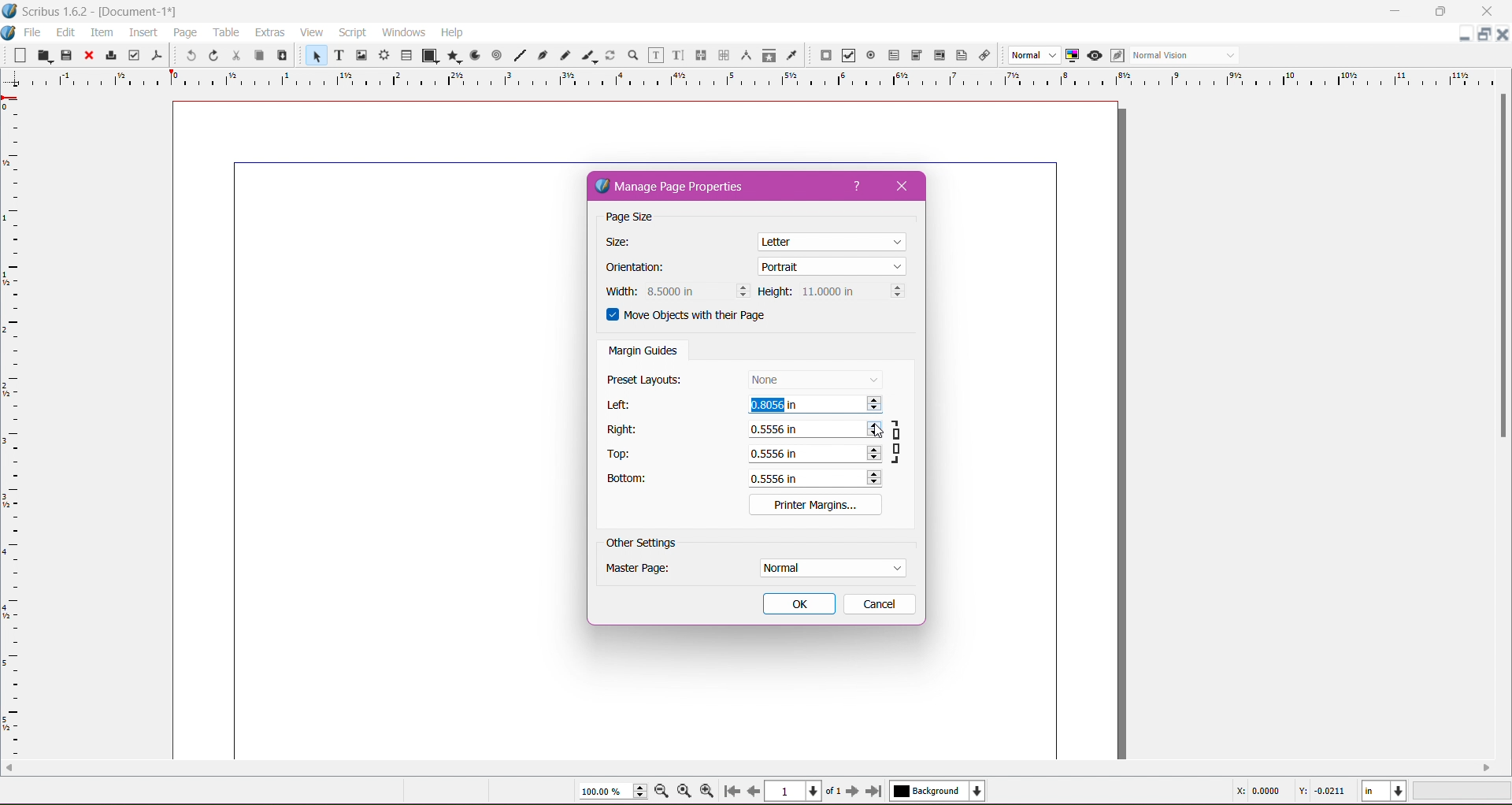 The height and width of the screenshot is (805, 1512). What do you see at coordinates (986, 57) in the screenshot?
I see `Link Annotation` at bounding box center [986, 57].